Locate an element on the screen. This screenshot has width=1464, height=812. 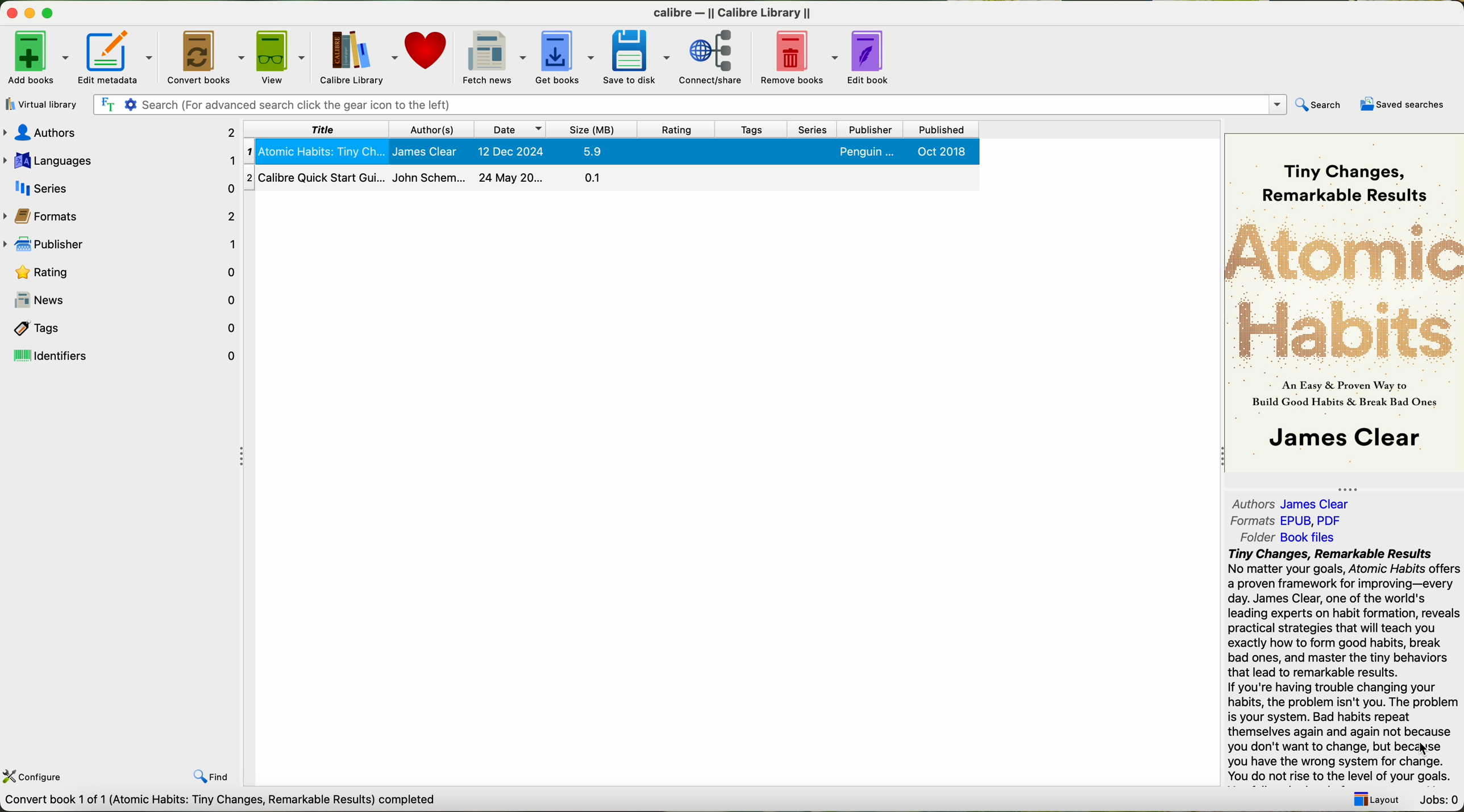
fetch news is located at coordinates (495, 56).